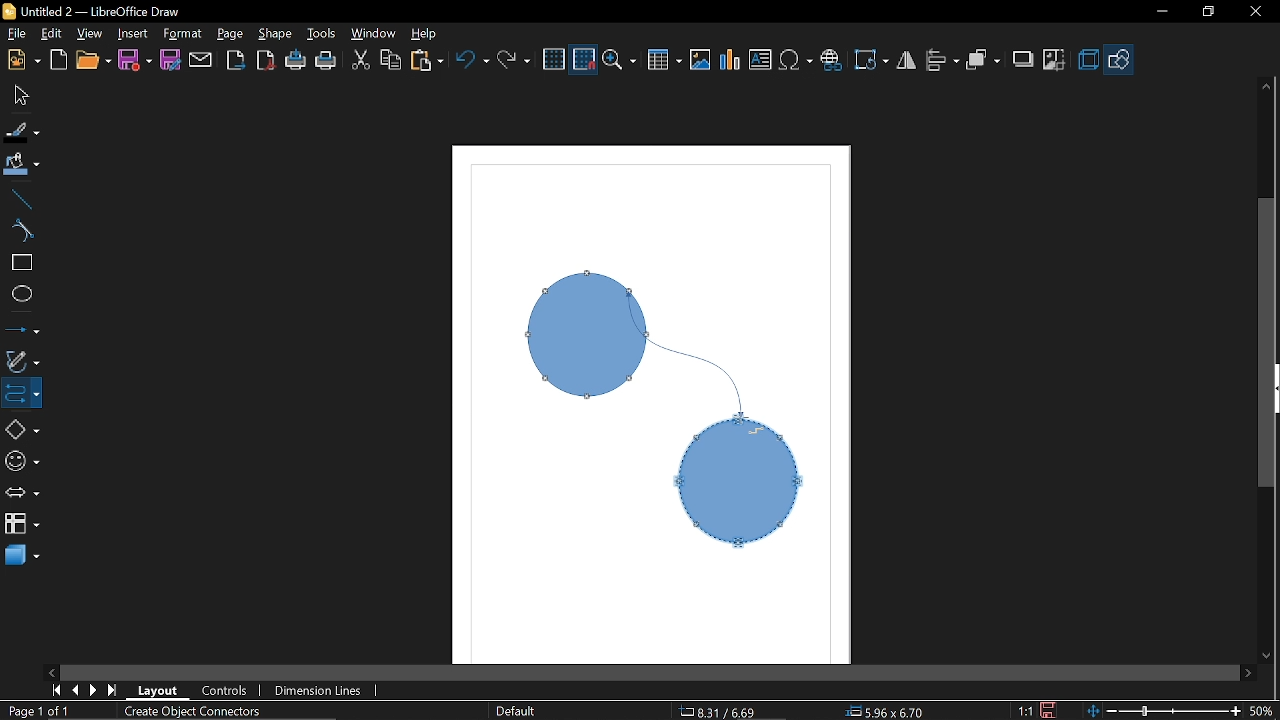  I want to click on Insert text, so click(762, 61).